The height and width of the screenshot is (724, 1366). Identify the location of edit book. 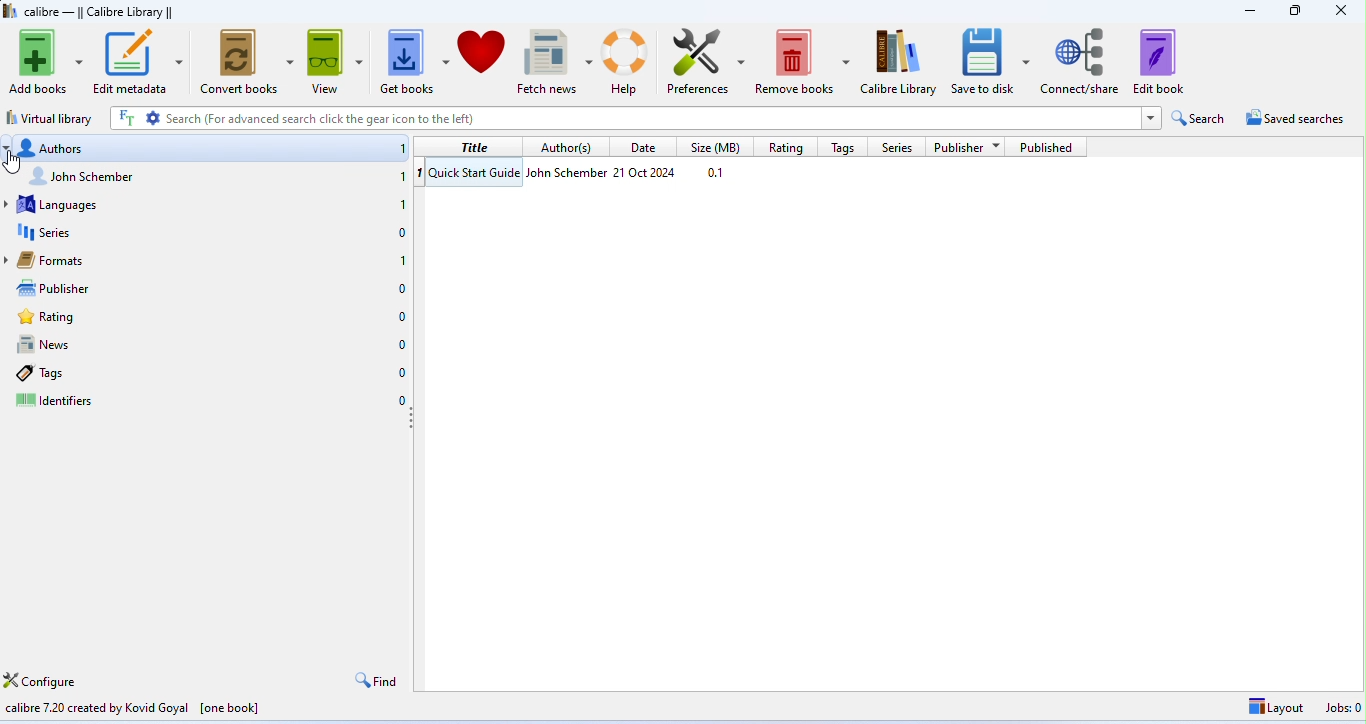
(1162, 62).